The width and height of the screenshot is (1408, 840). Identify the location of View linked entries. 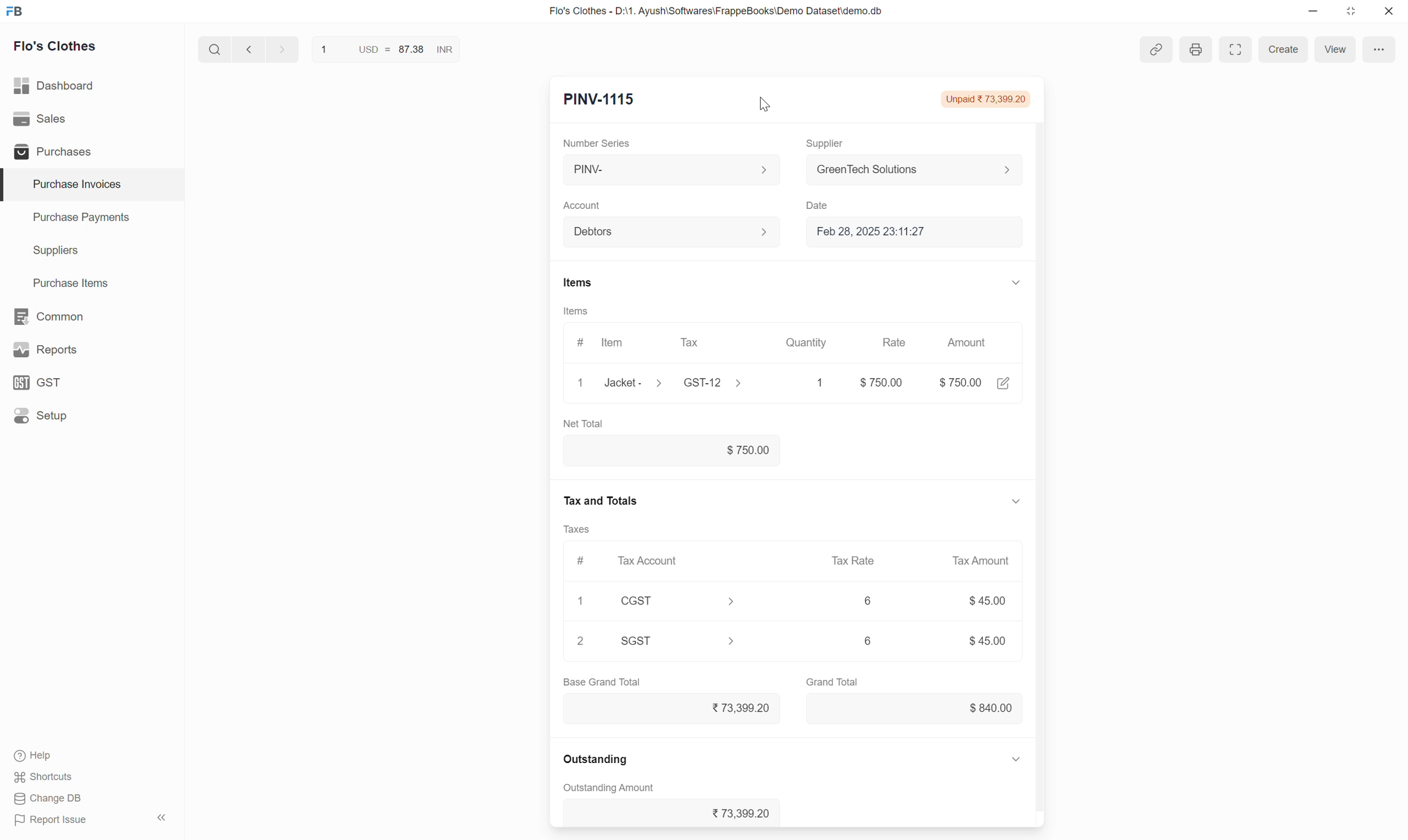
(1156, 49).